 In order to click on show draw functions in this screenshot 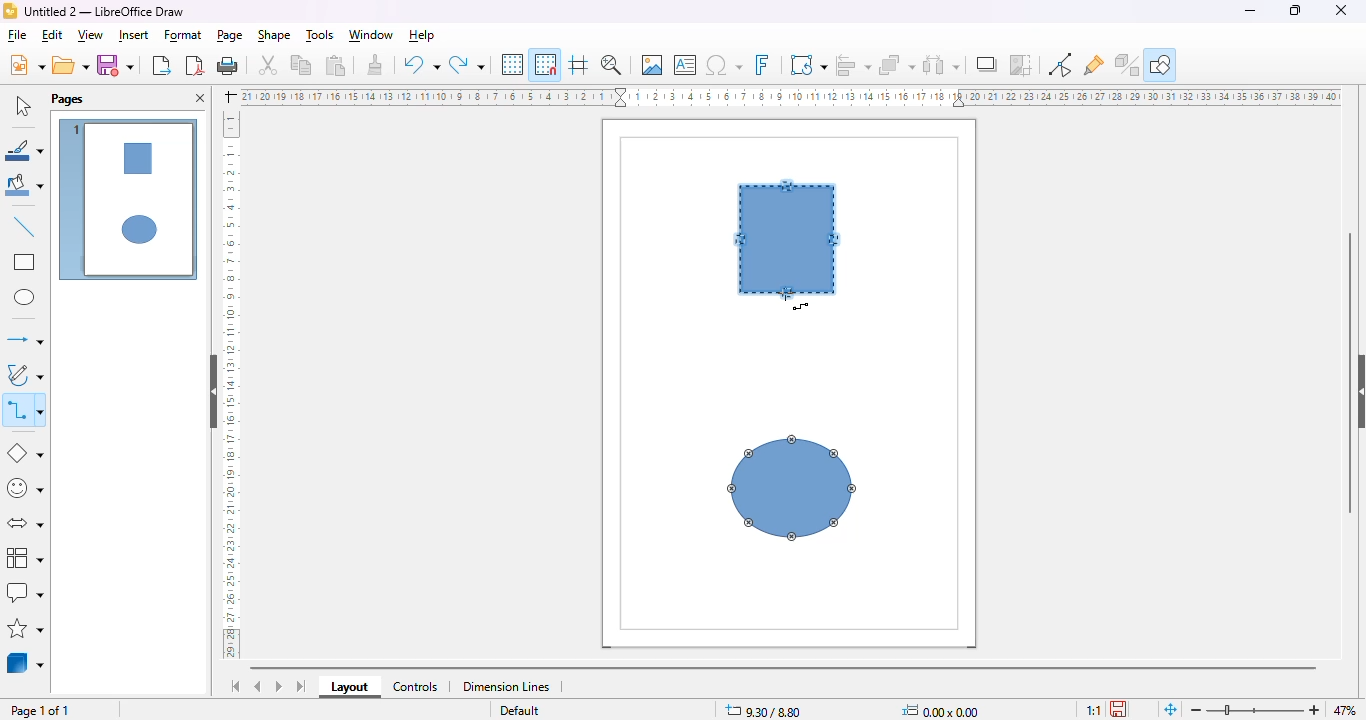, I will do `click(1163, 63)`.